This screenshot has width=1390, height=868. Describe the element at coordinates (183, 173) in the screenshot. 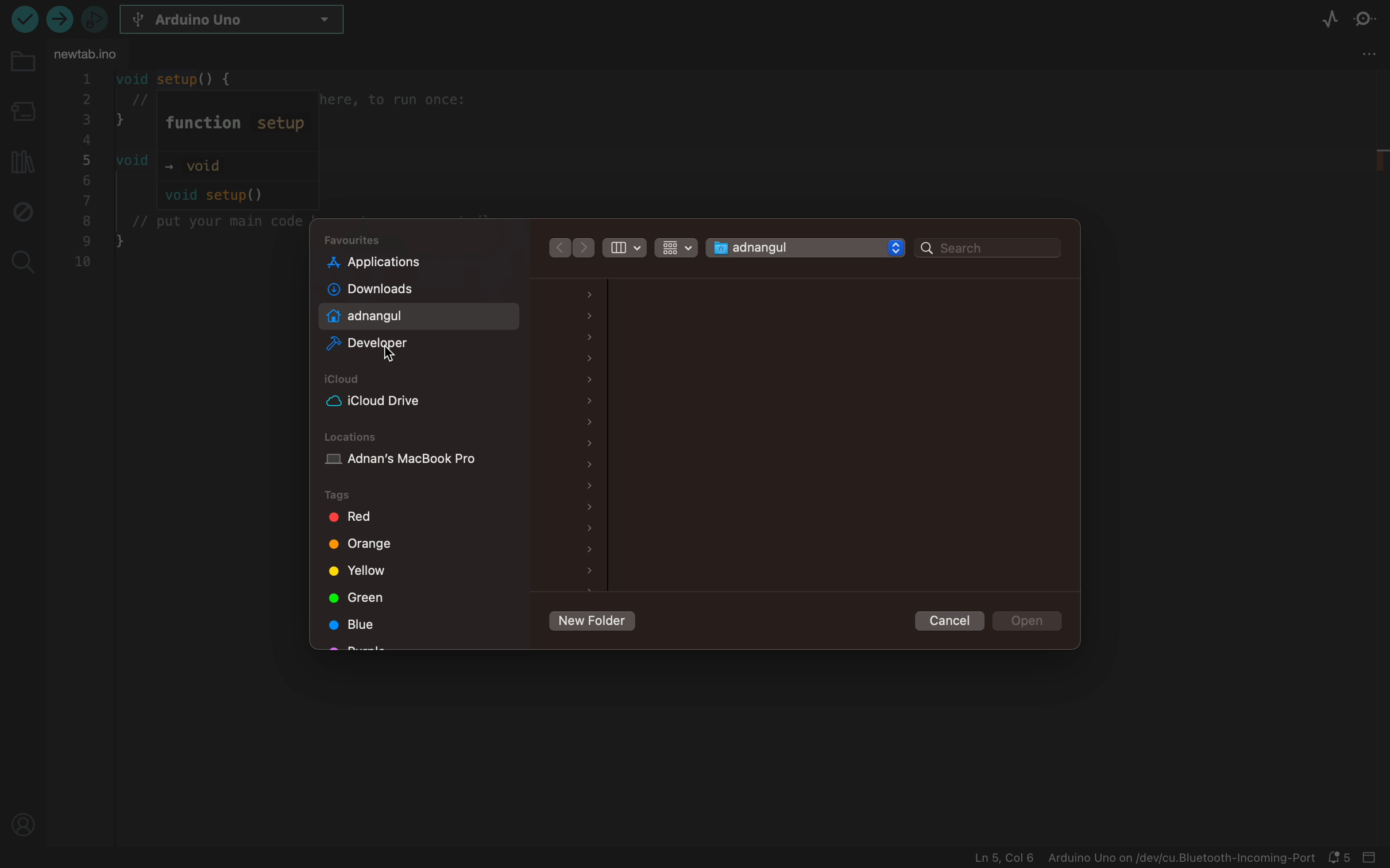

I see `code` at that location.